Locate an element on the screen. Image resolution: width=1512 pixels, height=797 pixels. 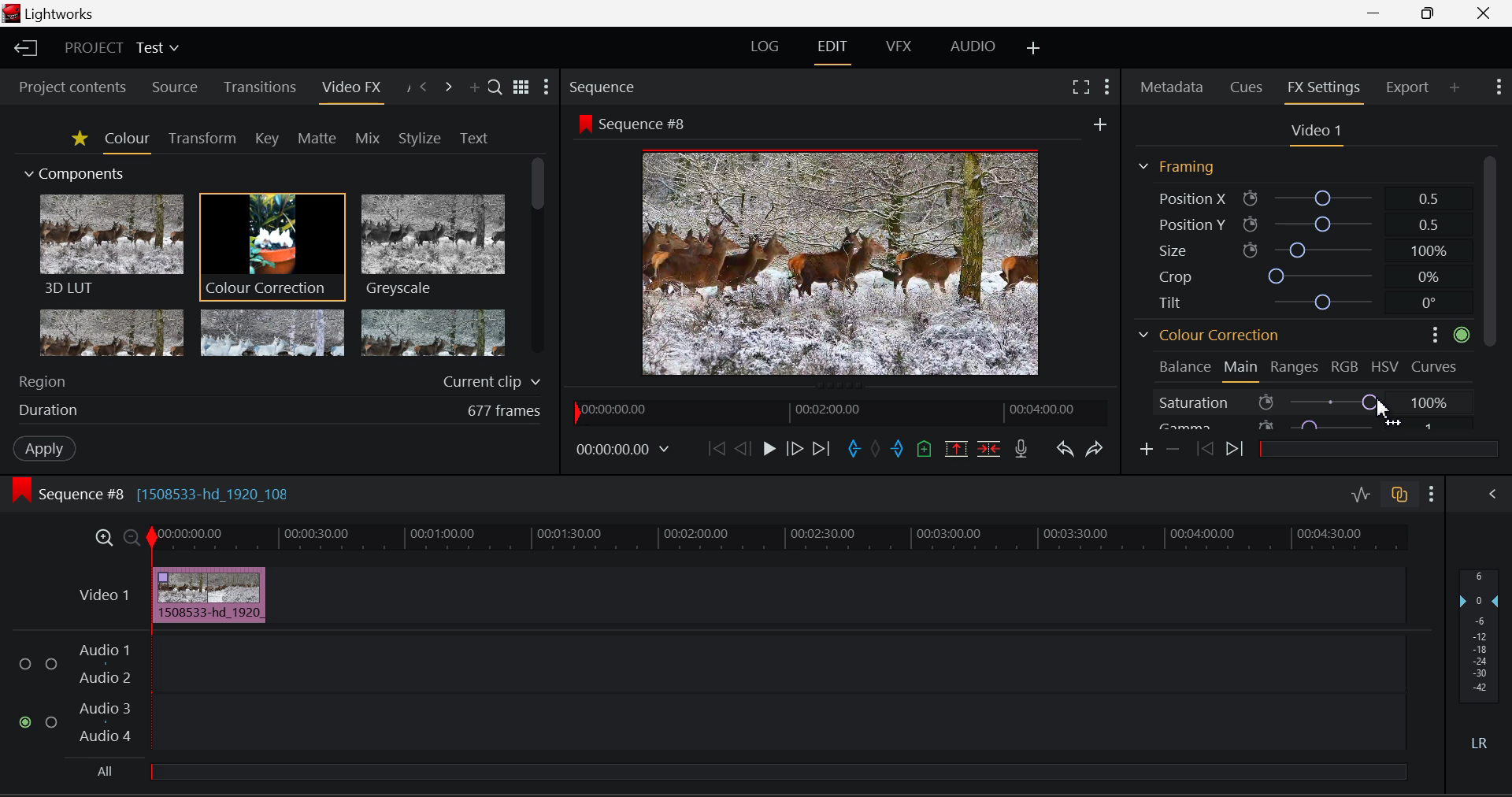
Audio Input Field is located at coordinates (776, 662).